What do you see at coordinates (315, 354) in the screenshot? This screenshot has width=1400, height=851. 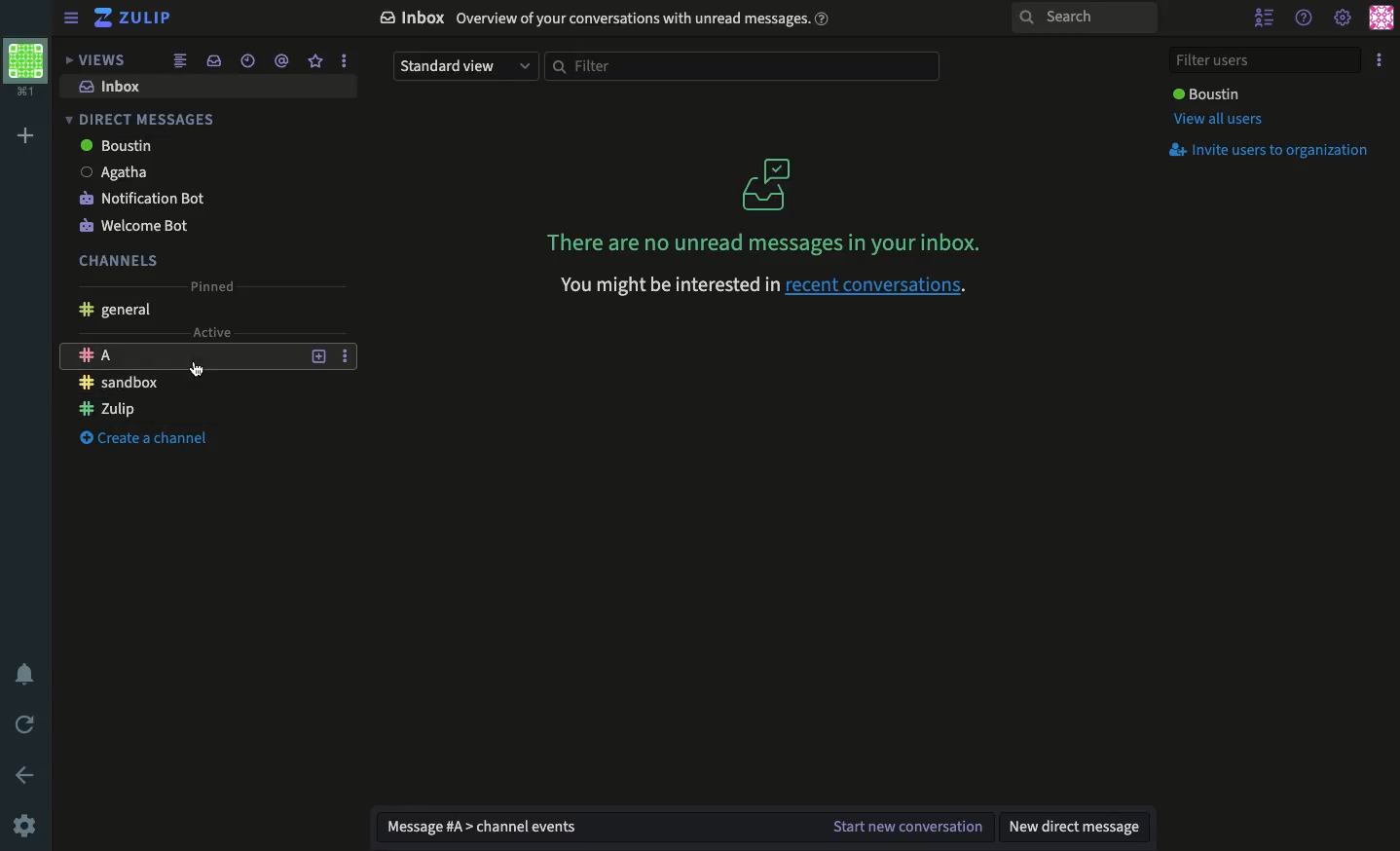 I see `Add new topic` at bounding box center [315, 354].